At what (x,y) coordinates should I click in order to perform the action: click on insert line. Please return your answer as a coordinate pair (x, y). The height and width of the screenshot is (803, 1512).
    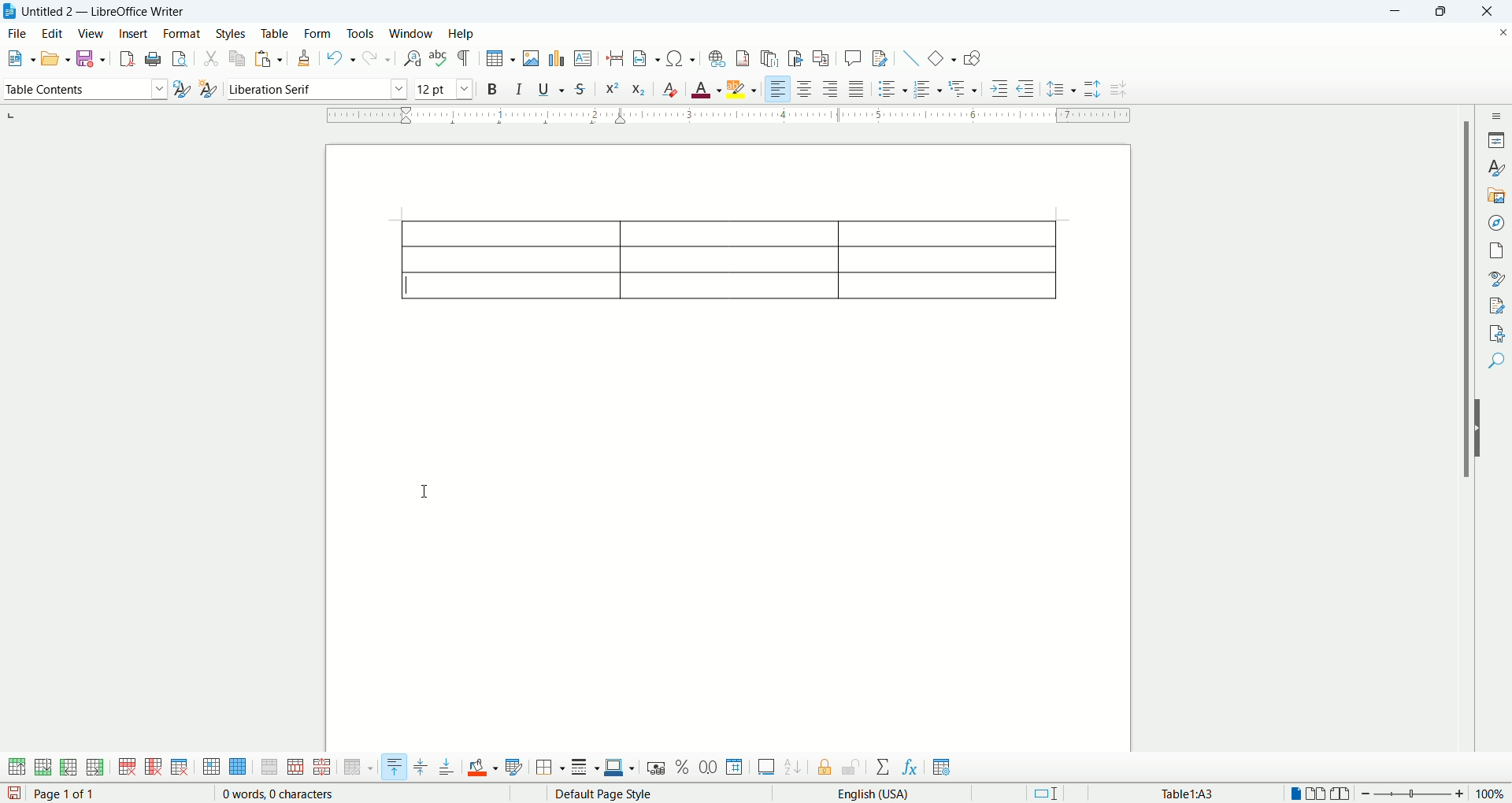
    Looking at the image, I should click on (906, 58).